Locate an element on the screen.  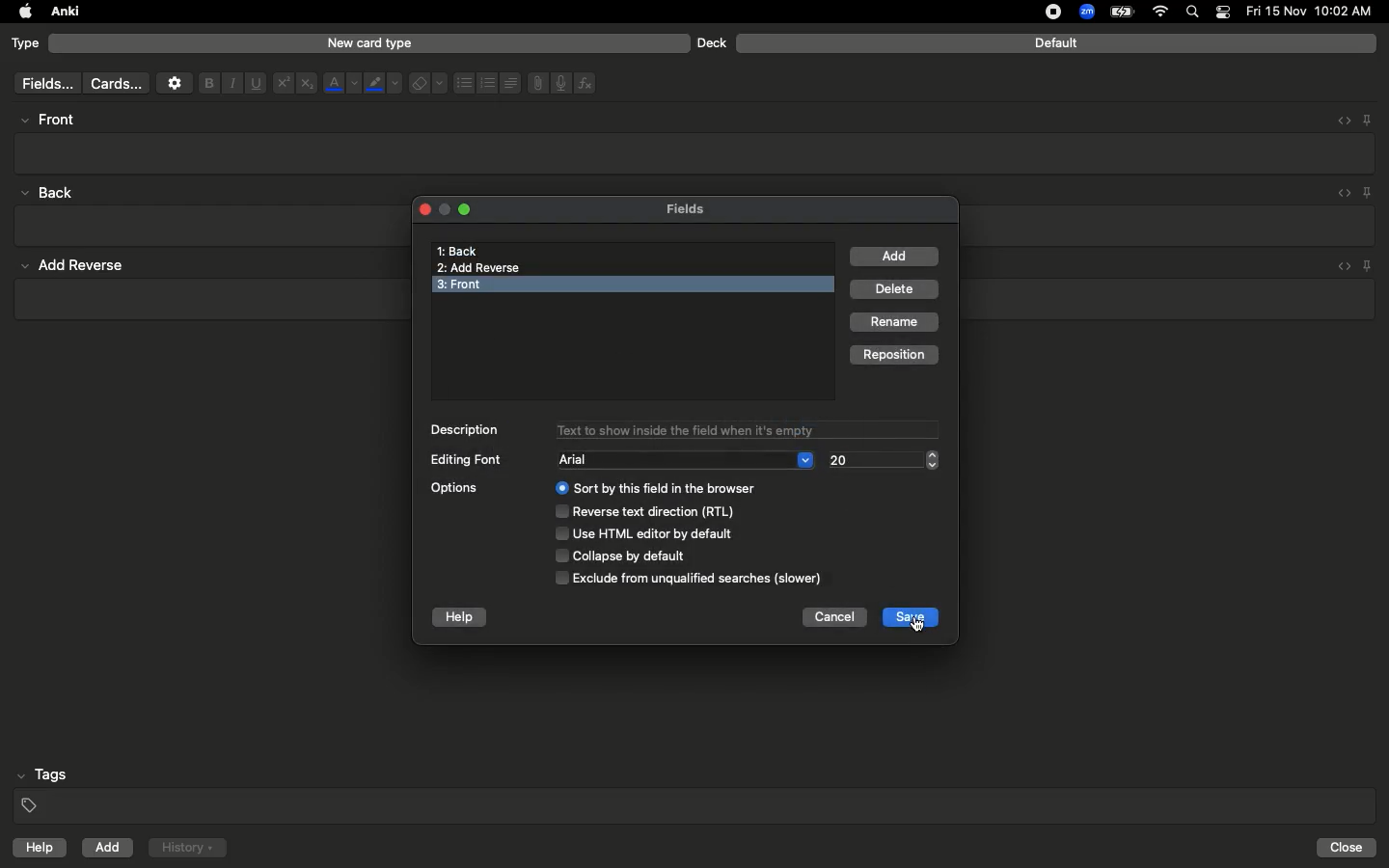
arial is located at coordinates (582, 460).